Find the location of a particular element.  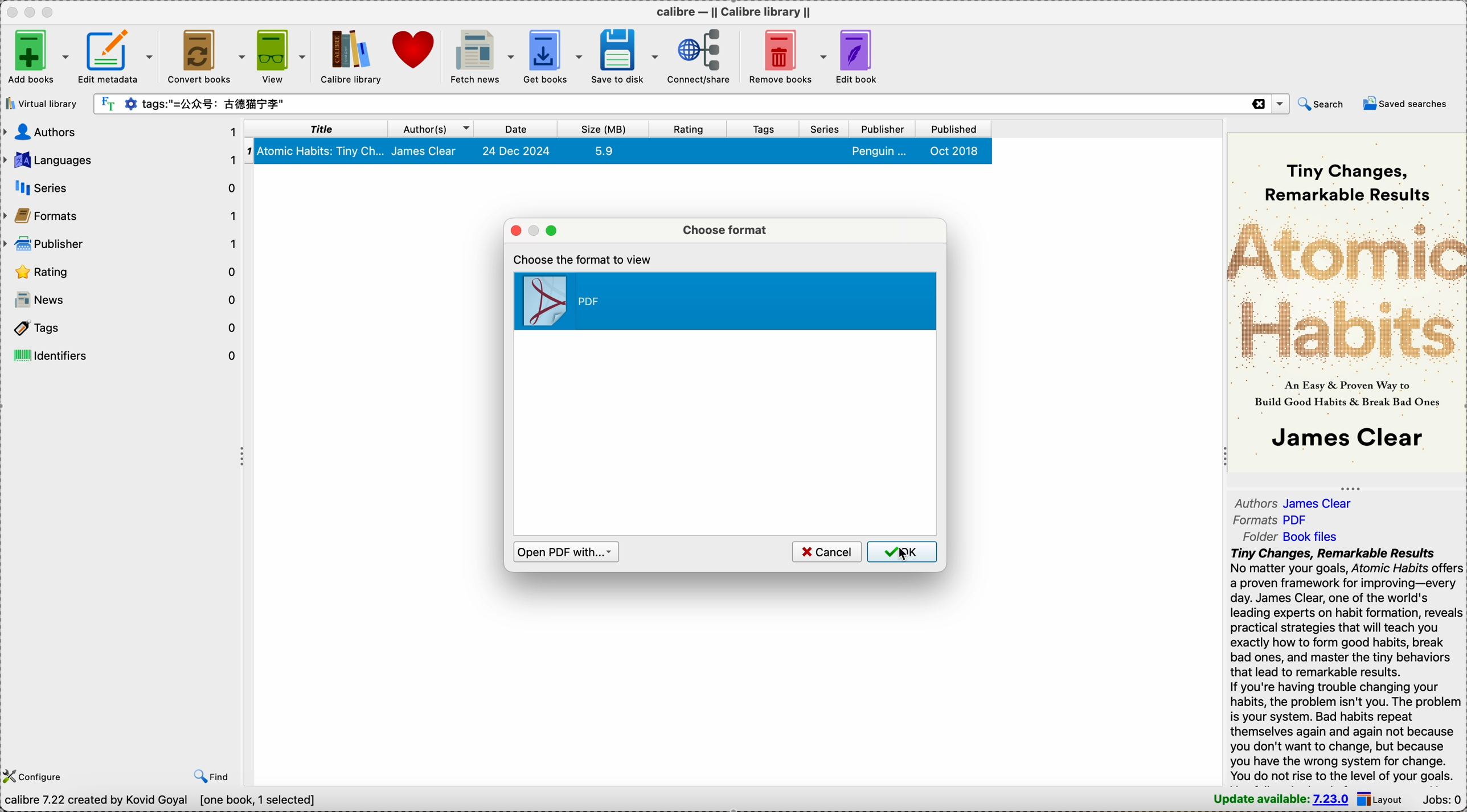

tags is located at coordinates (765, 128).